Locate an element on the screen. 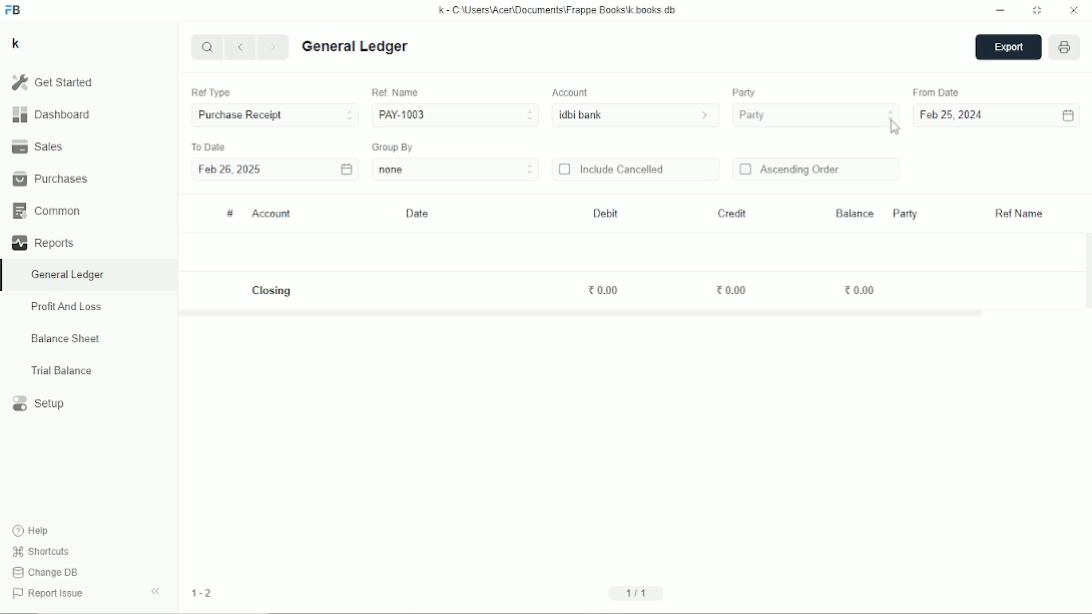 The height and width of the screenshot is (614, 1092). Search is located at coordinates (207, 46).